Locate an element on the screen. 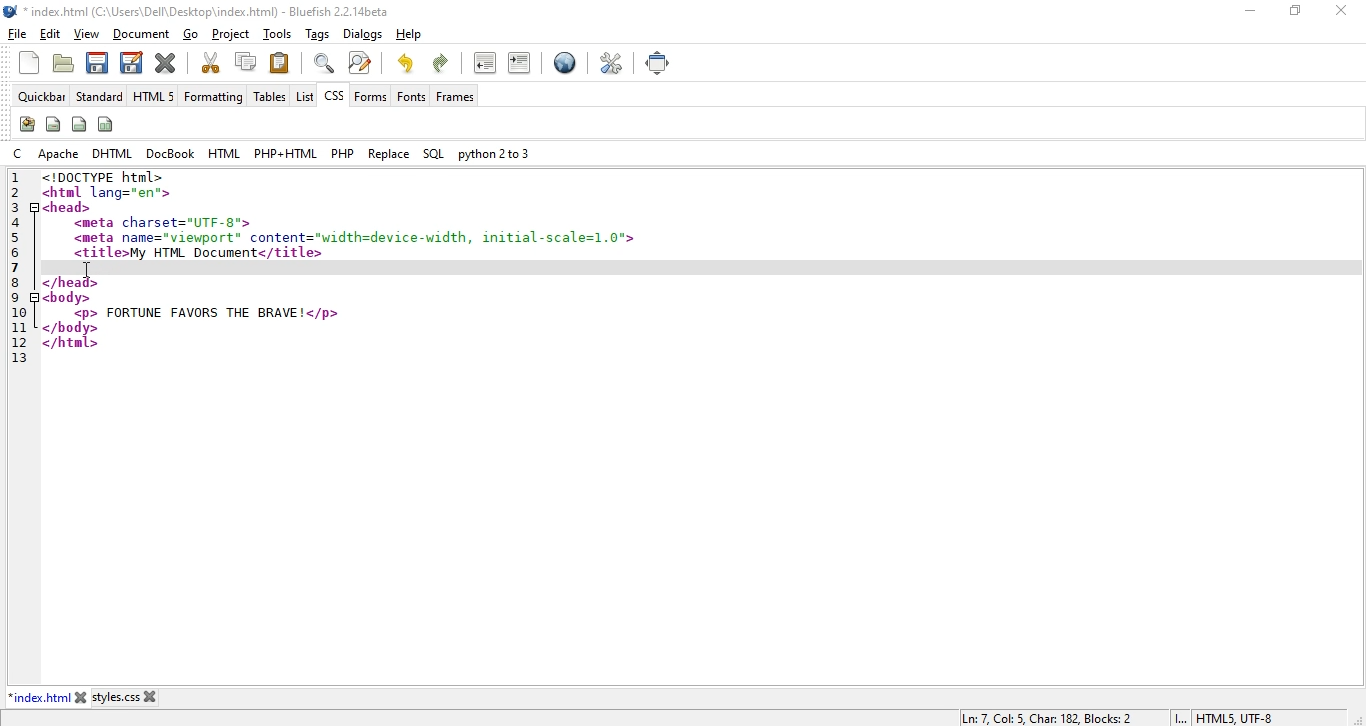 This screenshot has height=726, width=1366. standard is located at coordinates (100, 97).